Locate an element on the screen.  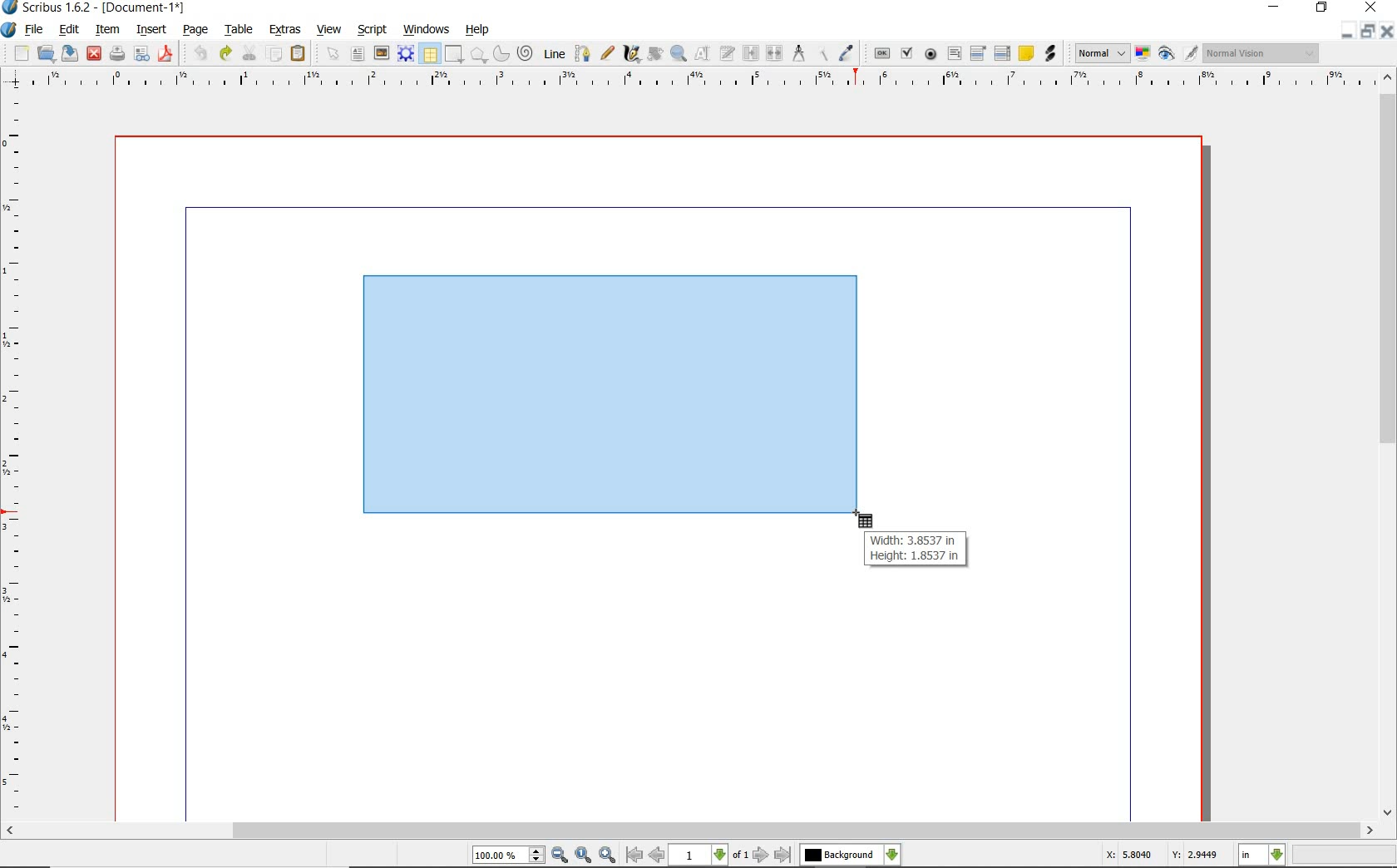
pdf push button is located at coordinates (882, 52).